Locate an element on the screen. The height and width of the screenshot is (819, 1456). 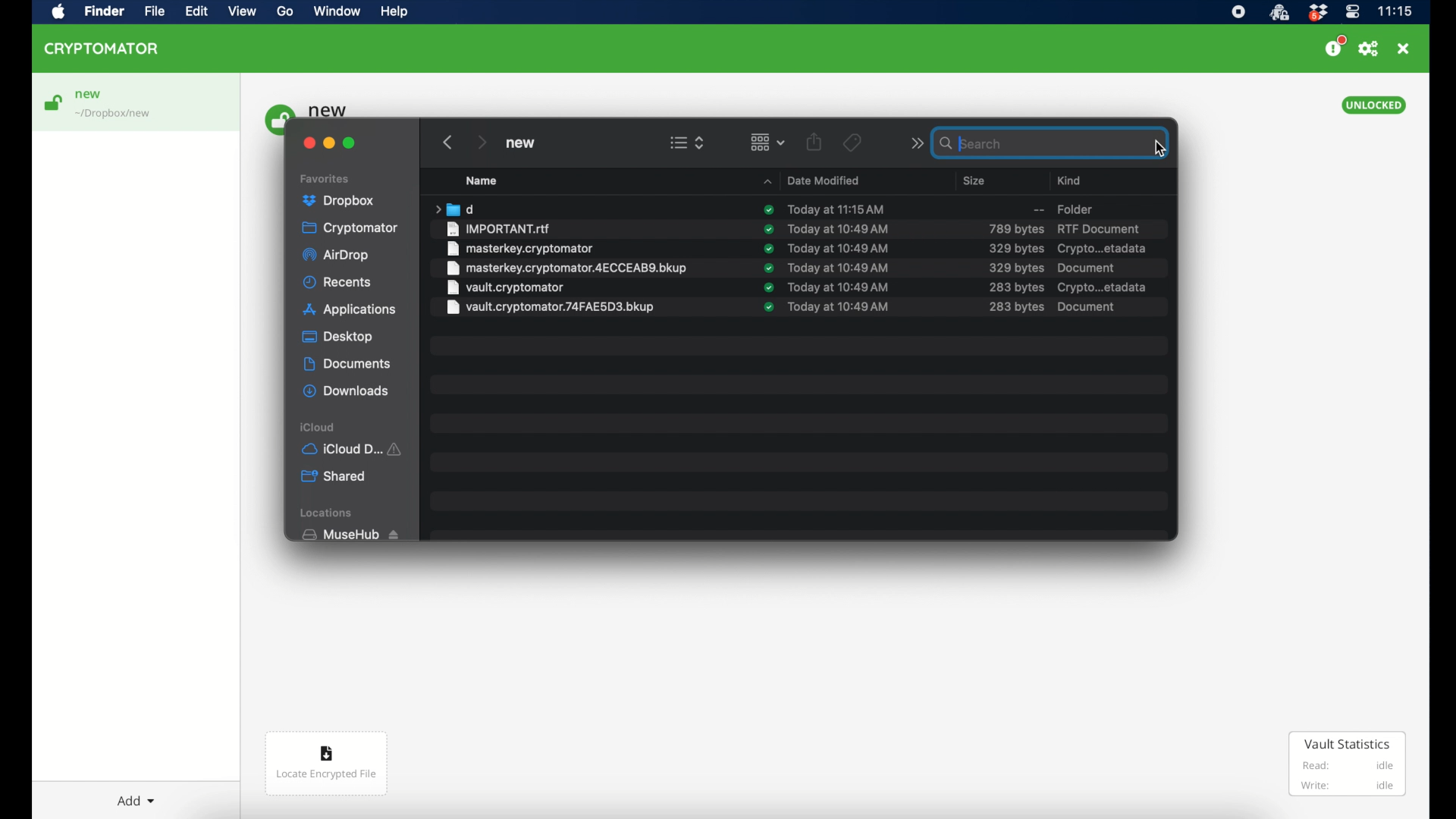
change item grouping is located at coordinates (764, 143).